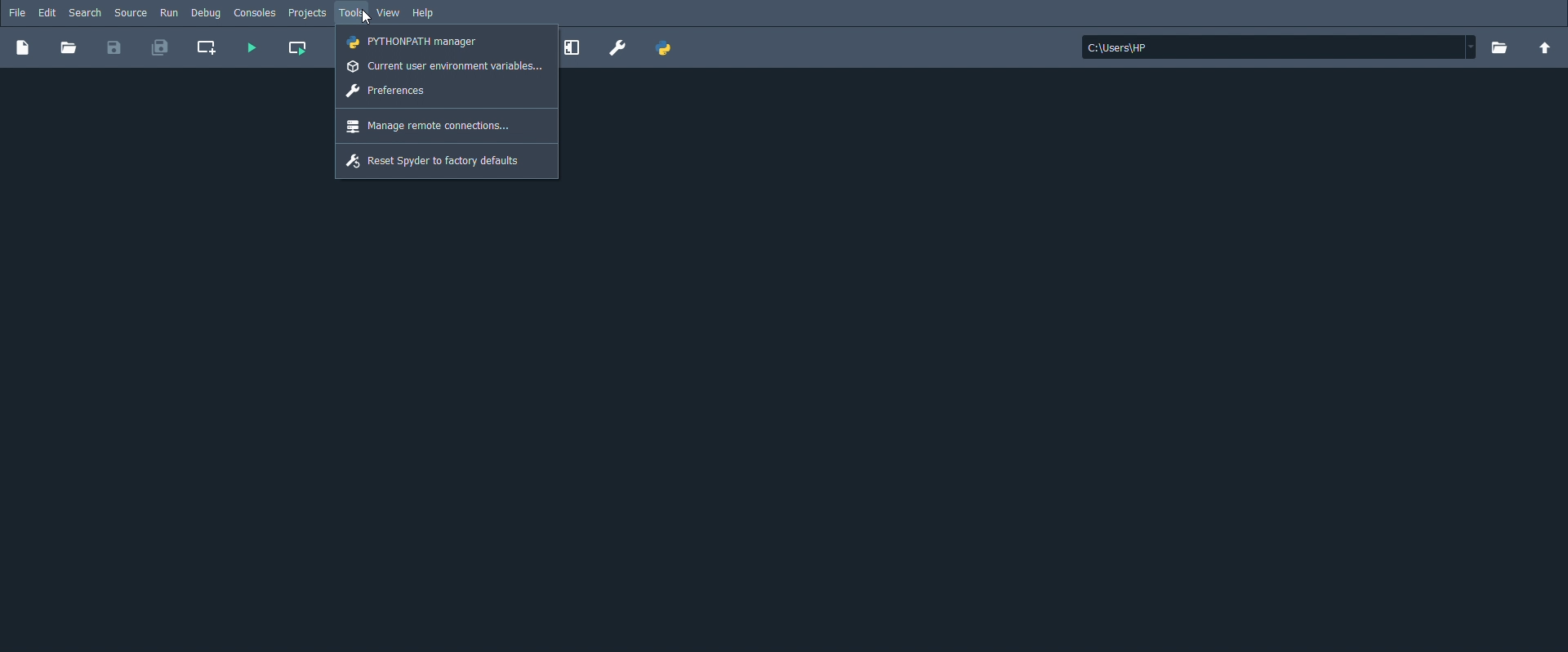  Describe the element at coordinates (131, 13) in the screenshot. I see `Source` at that location.